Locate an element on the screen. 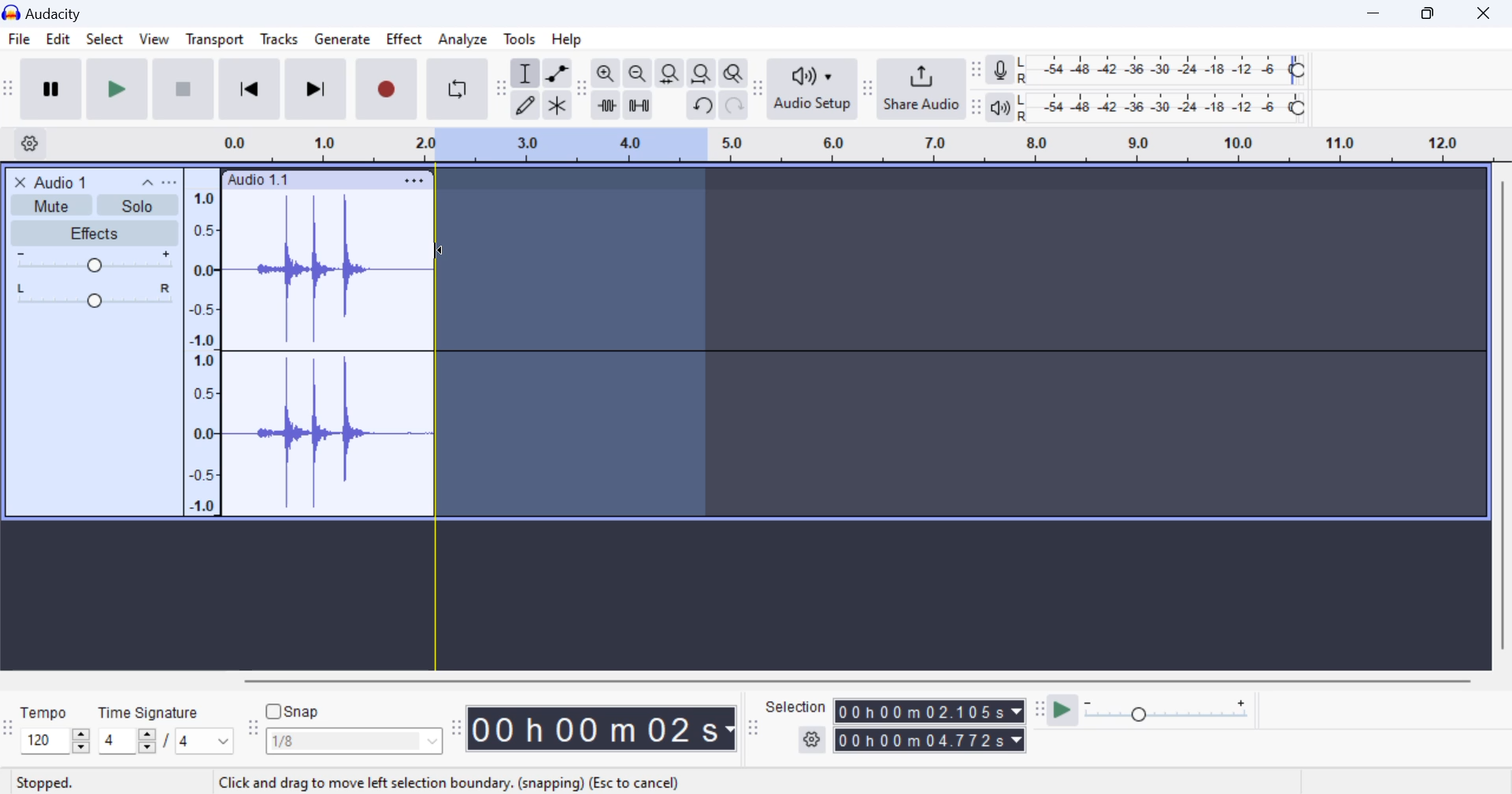 The height and width of the screenshot is (794, 1512). Edit is located at coordinates (57, 42).